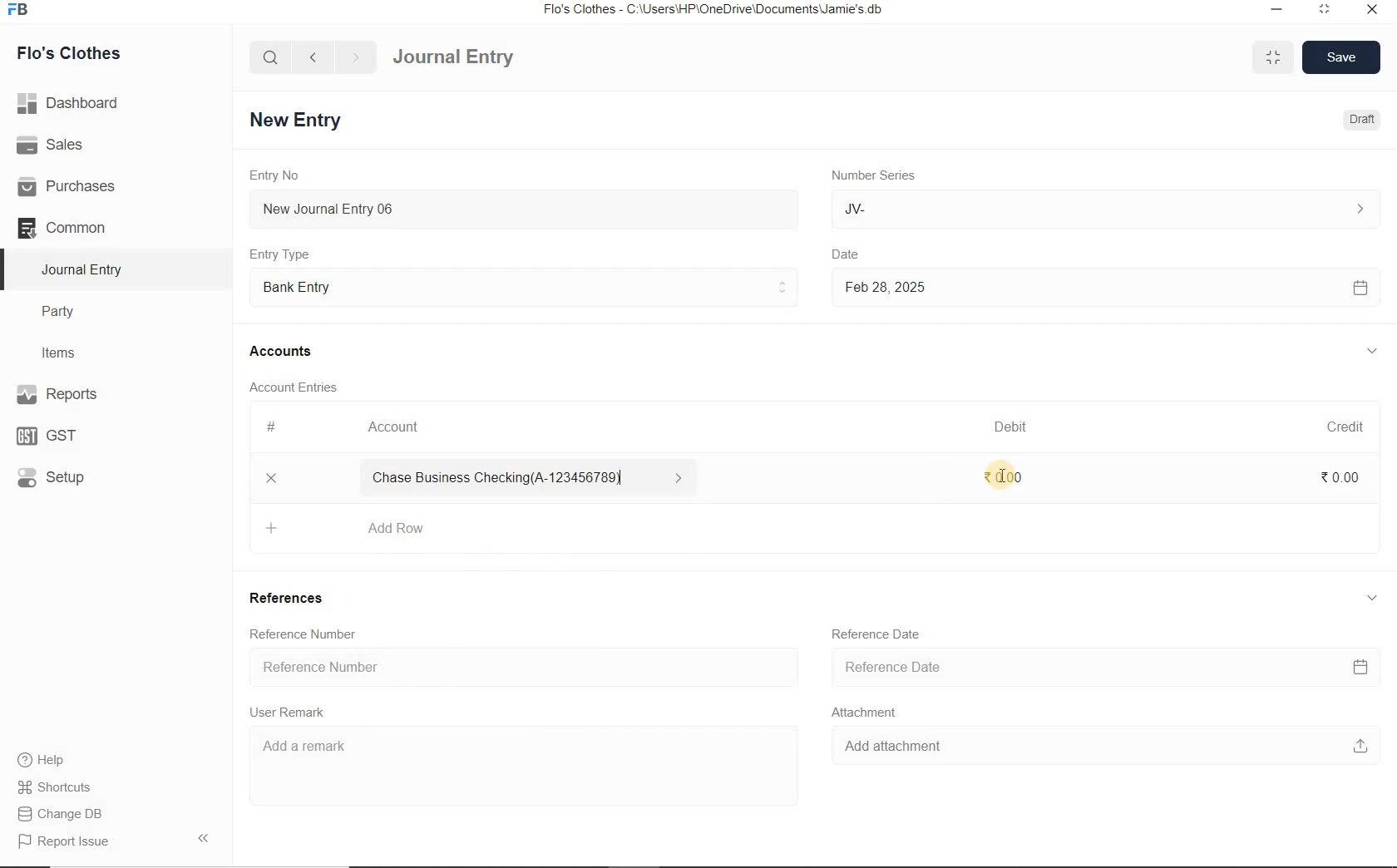 The width and height of the screenshot is (1397, 868). I want to click on Entry Type, so click(525, 285).